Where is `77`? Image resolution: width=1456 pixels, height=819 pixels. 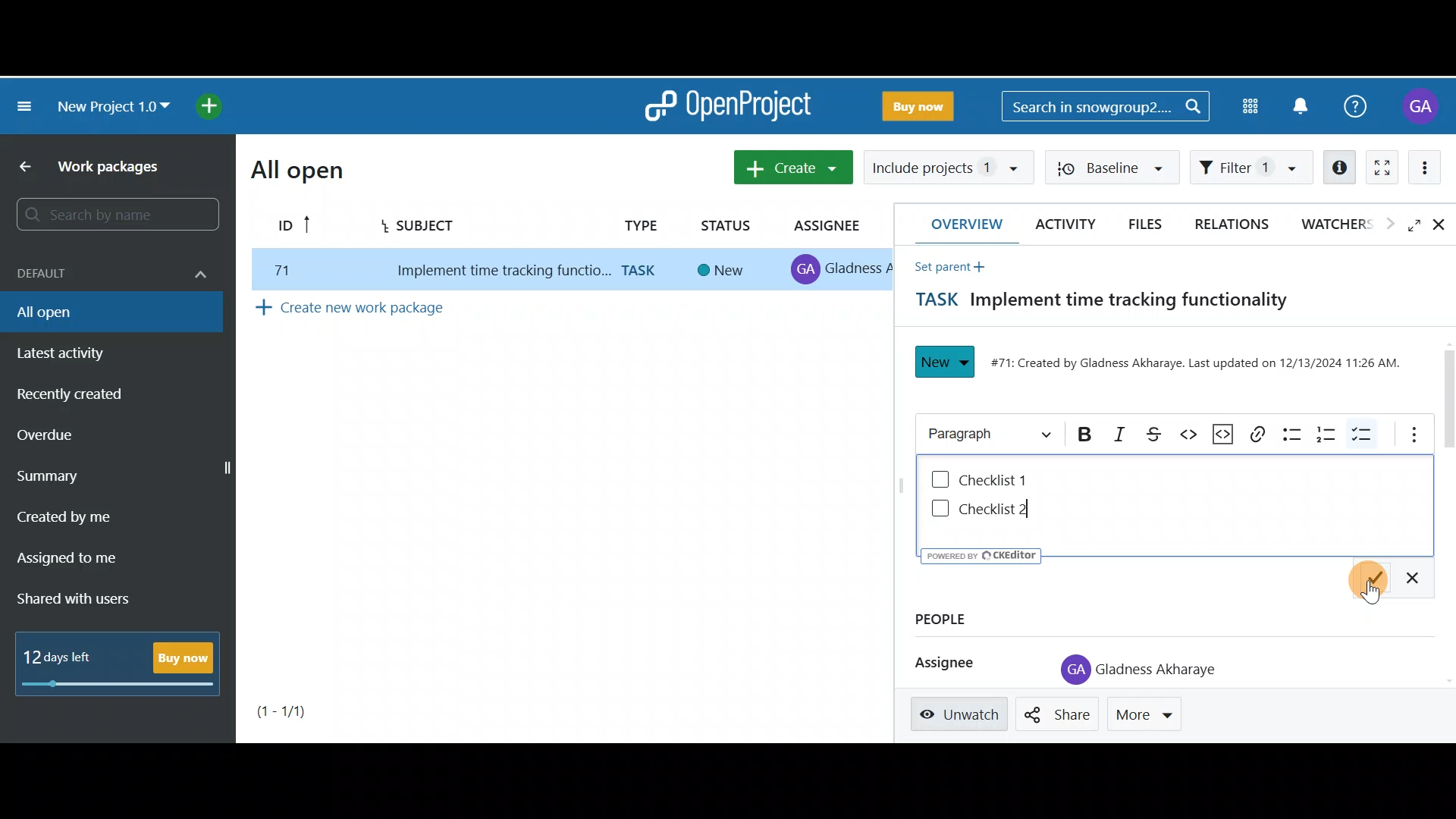 77 is located at coordinates (278, 270).